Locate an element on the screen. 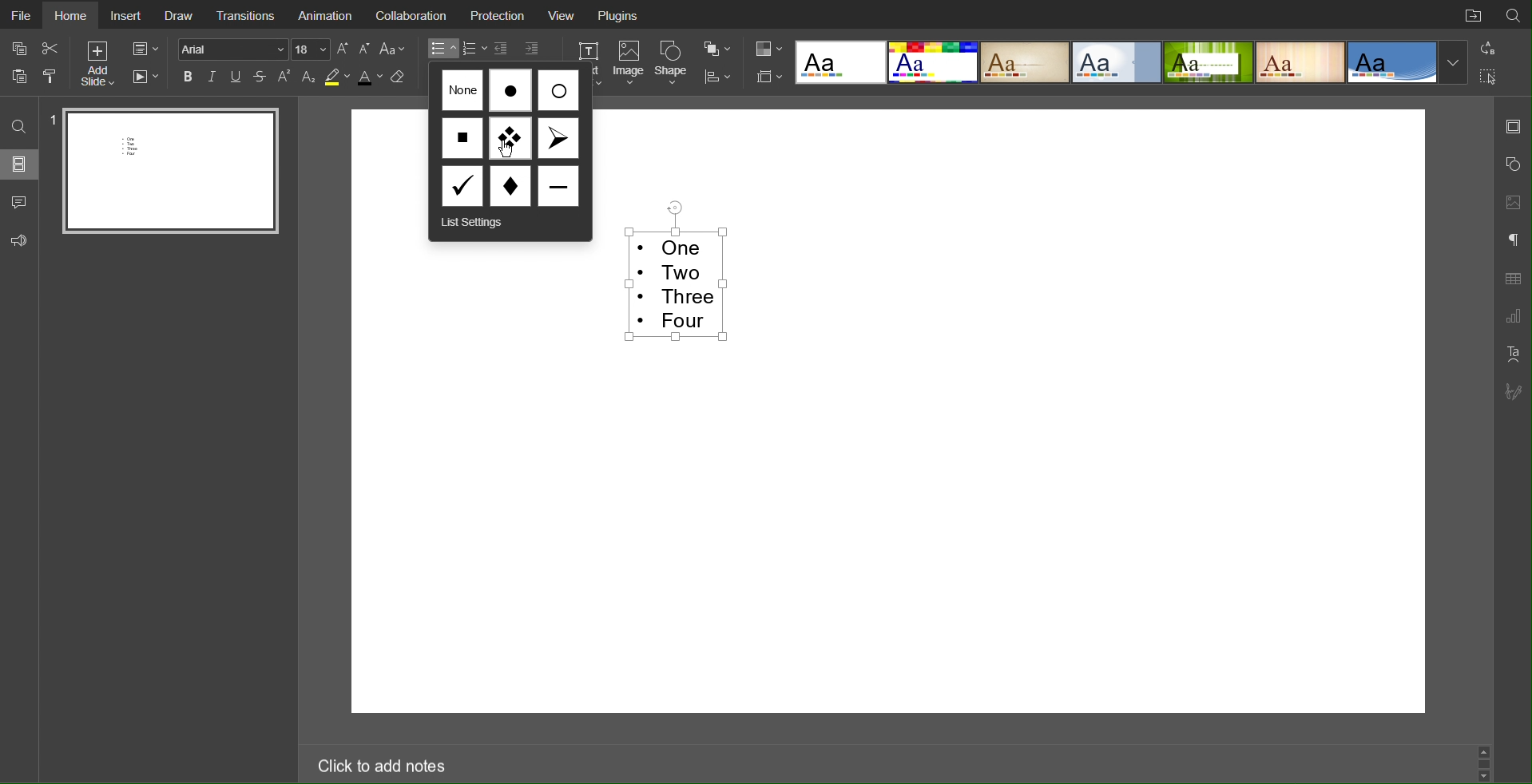 This screenshot has width=1532, height=784. Text Box is located at coordinates (588, 53).